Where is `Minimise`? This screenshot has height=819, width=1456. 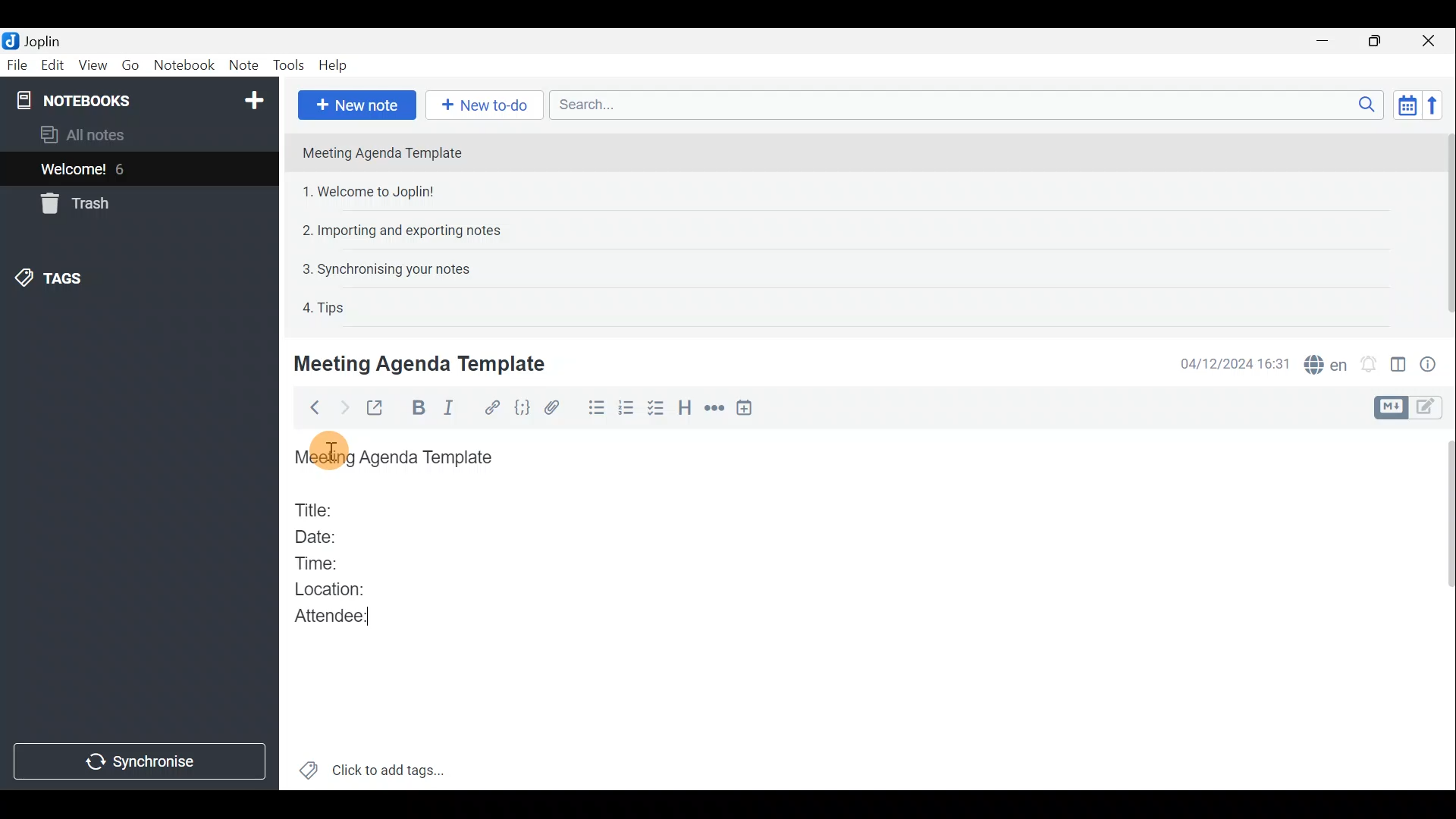 Minimise is located at coordinates (1325, 40).